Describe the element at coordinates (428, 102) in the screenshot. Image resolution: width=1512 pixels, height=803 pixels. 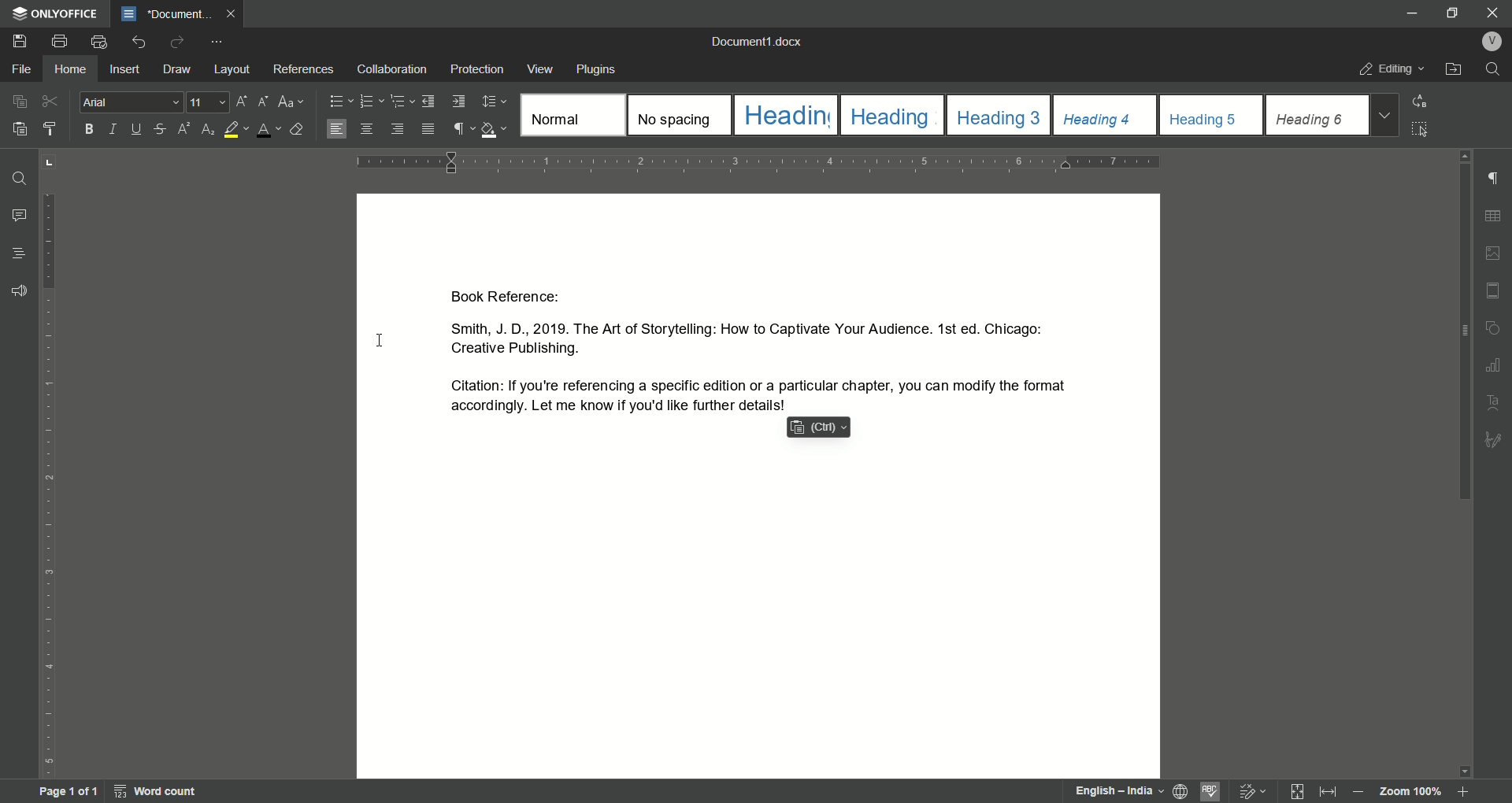
I see `decrease indent` at that location.